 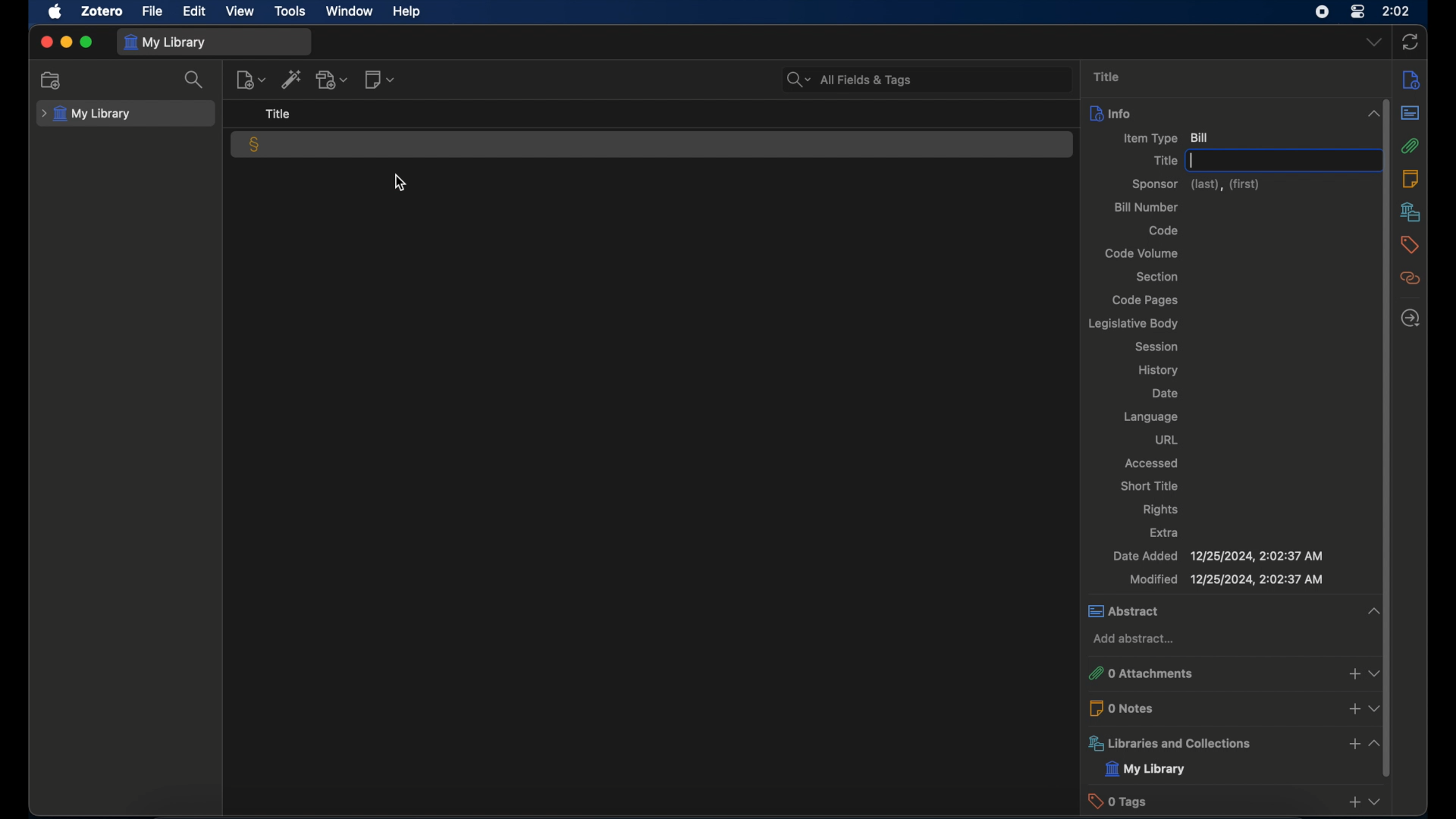 I want to click on title, so click(x=1106, y=77).